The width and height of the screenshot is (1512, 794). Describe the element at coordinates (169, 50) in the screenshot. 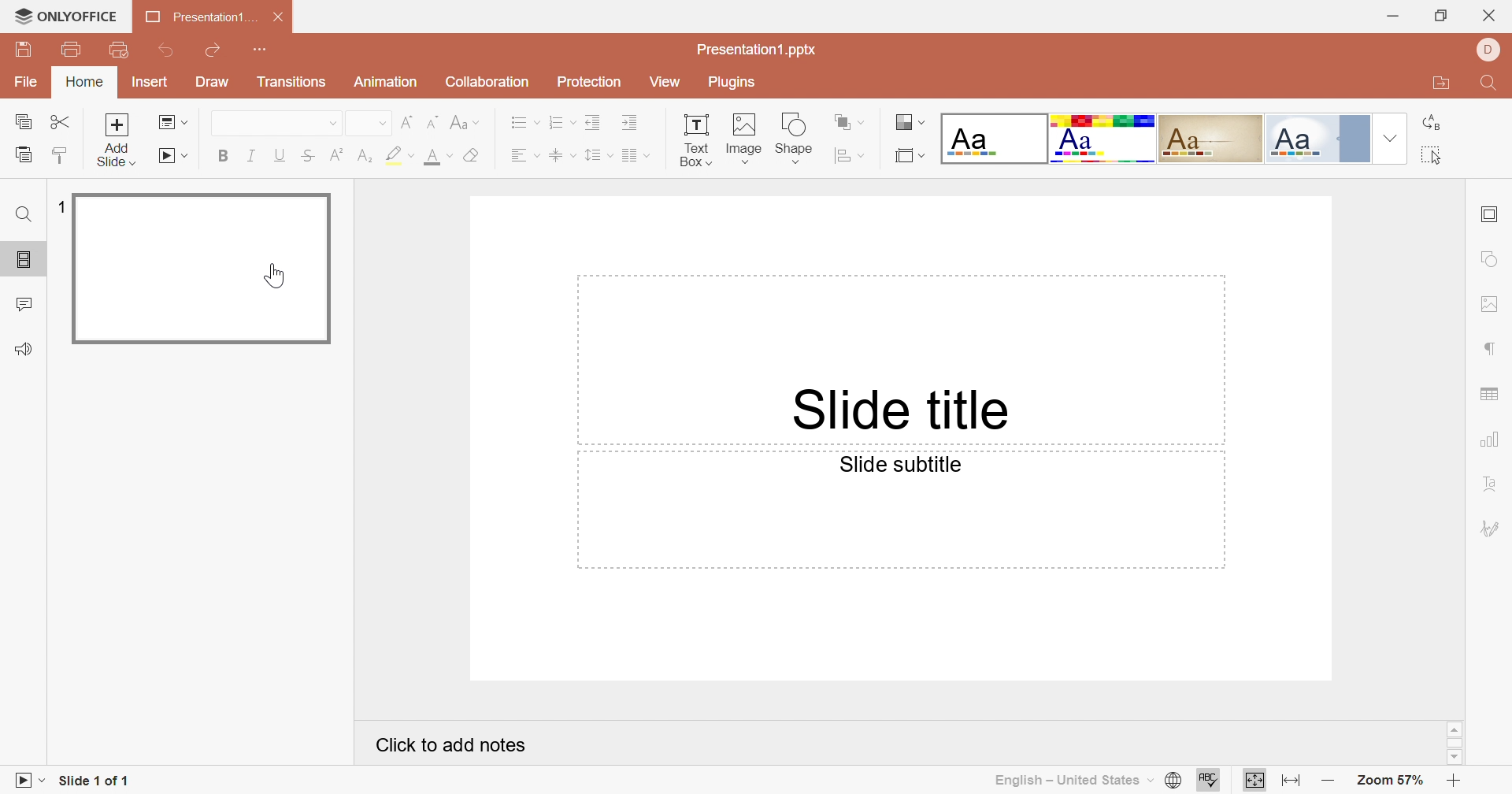

I see `Undo` at that location.